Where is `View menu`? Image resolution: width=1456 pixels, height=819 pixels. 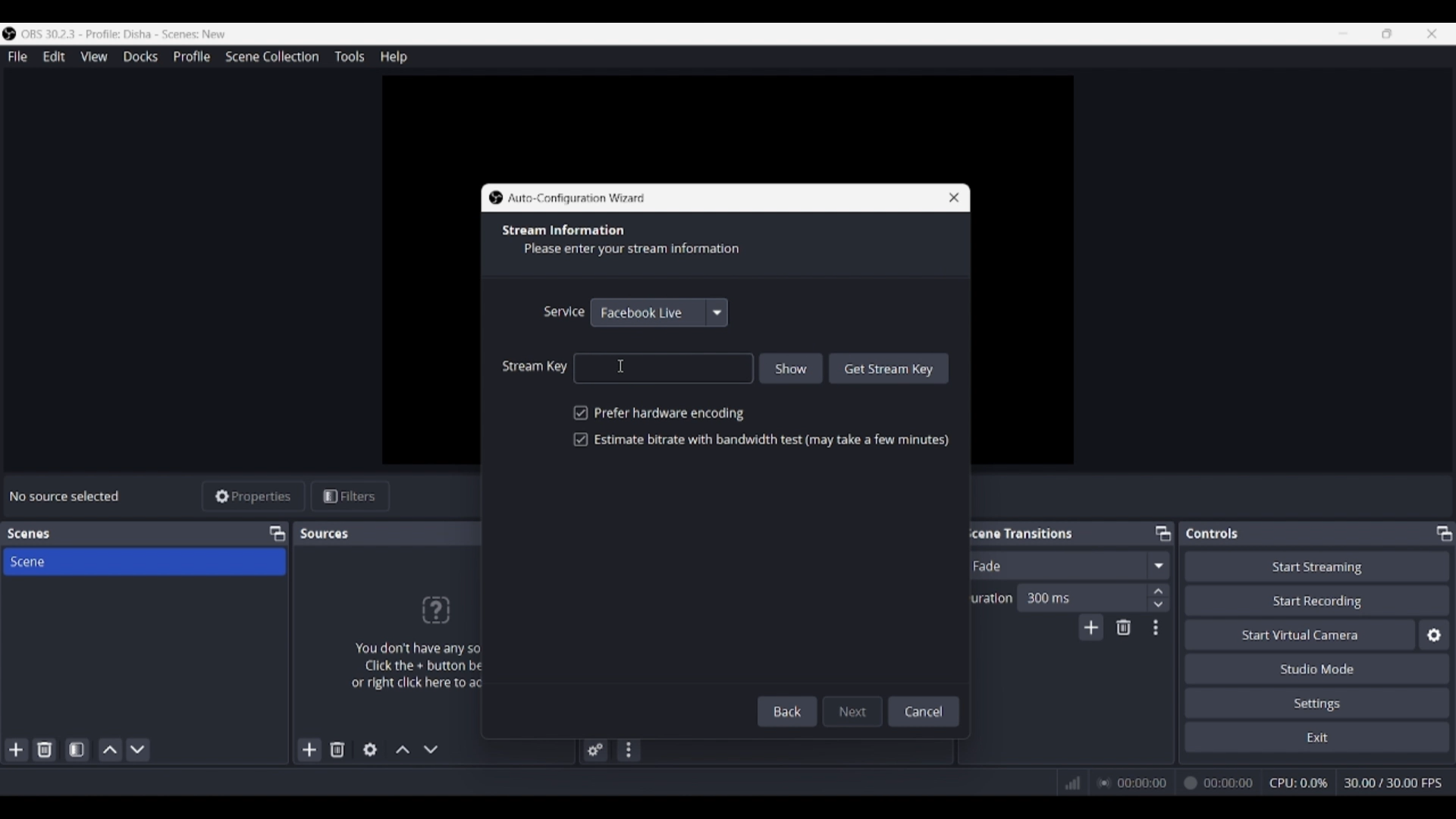
View menu is located at coordinates (94, 56).